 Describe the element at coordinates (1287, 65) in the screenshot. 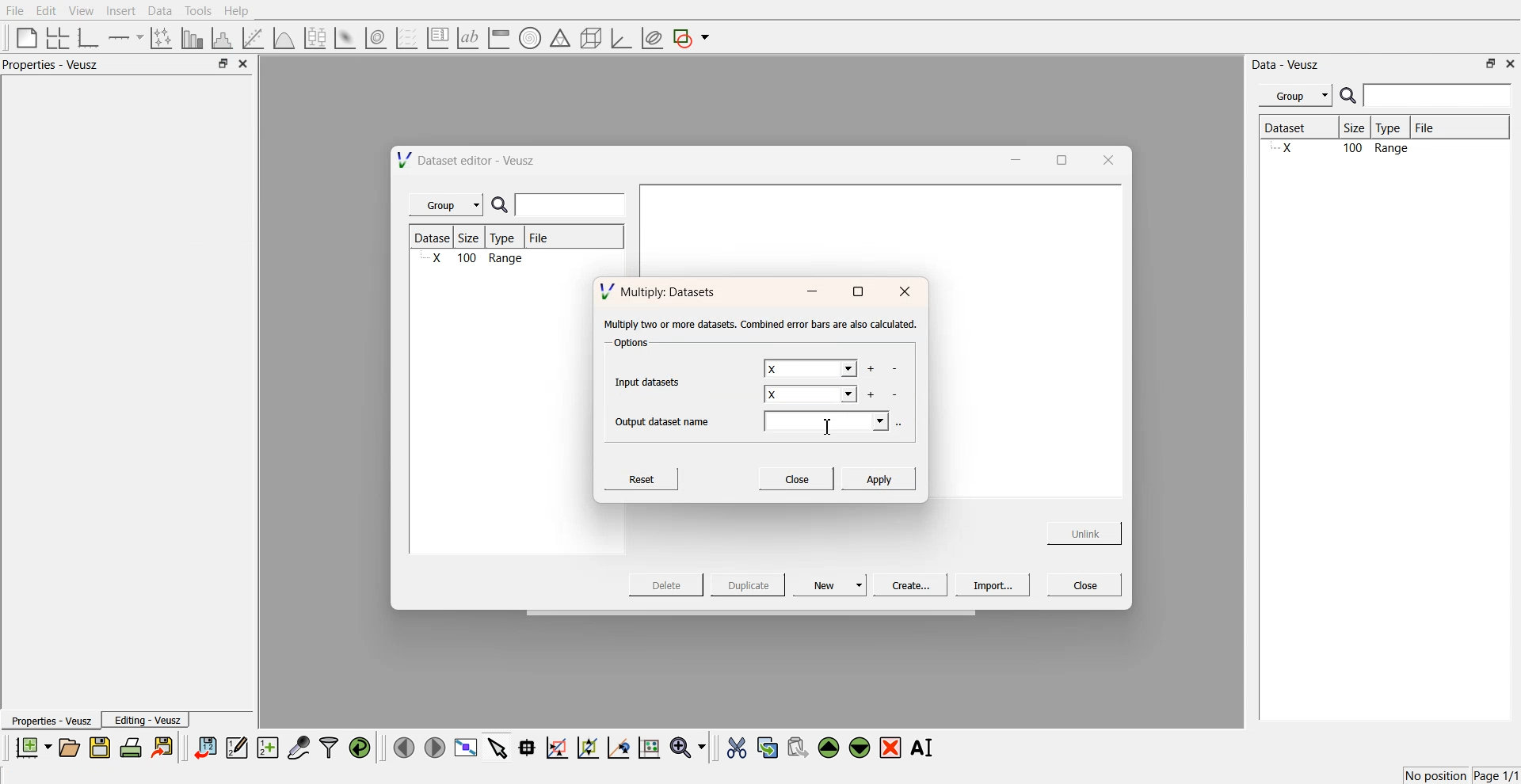

I see `Data - Veusz` at that location.